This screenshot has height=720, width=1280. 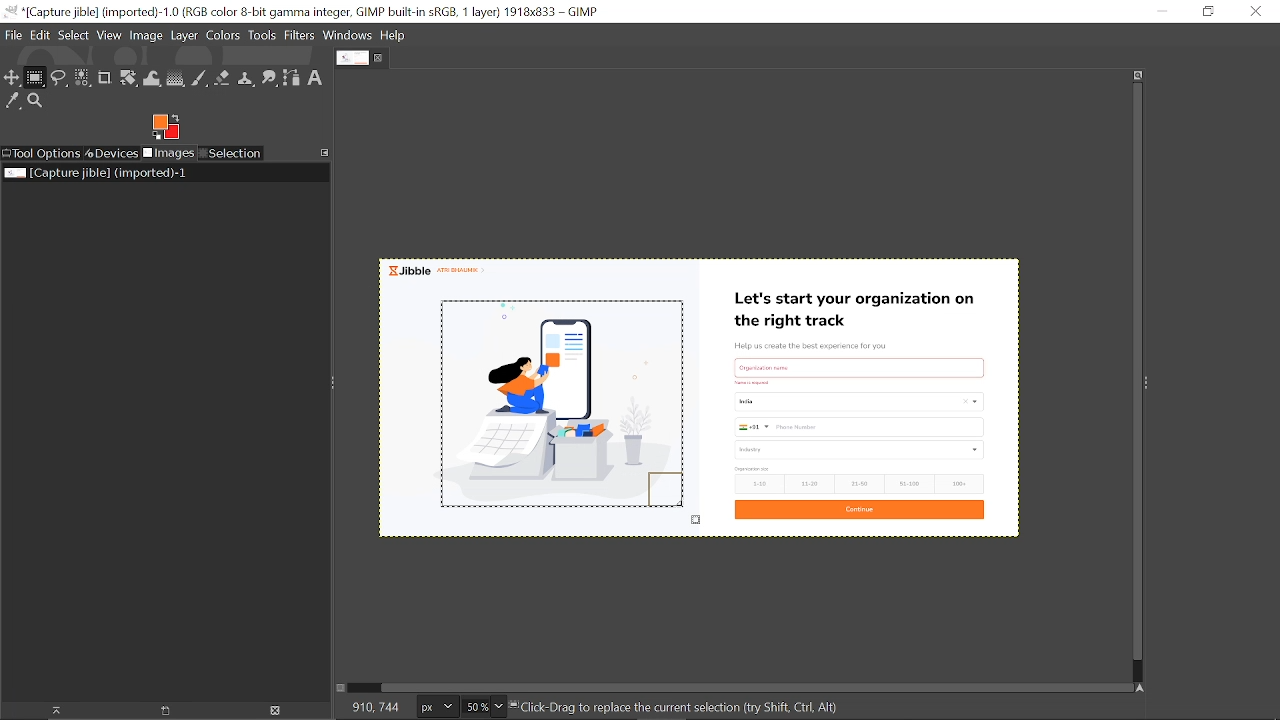 What do you see at coordinates (42, 153) in the screenshot?
I see `Tool options` at bounding box center [42, 153].